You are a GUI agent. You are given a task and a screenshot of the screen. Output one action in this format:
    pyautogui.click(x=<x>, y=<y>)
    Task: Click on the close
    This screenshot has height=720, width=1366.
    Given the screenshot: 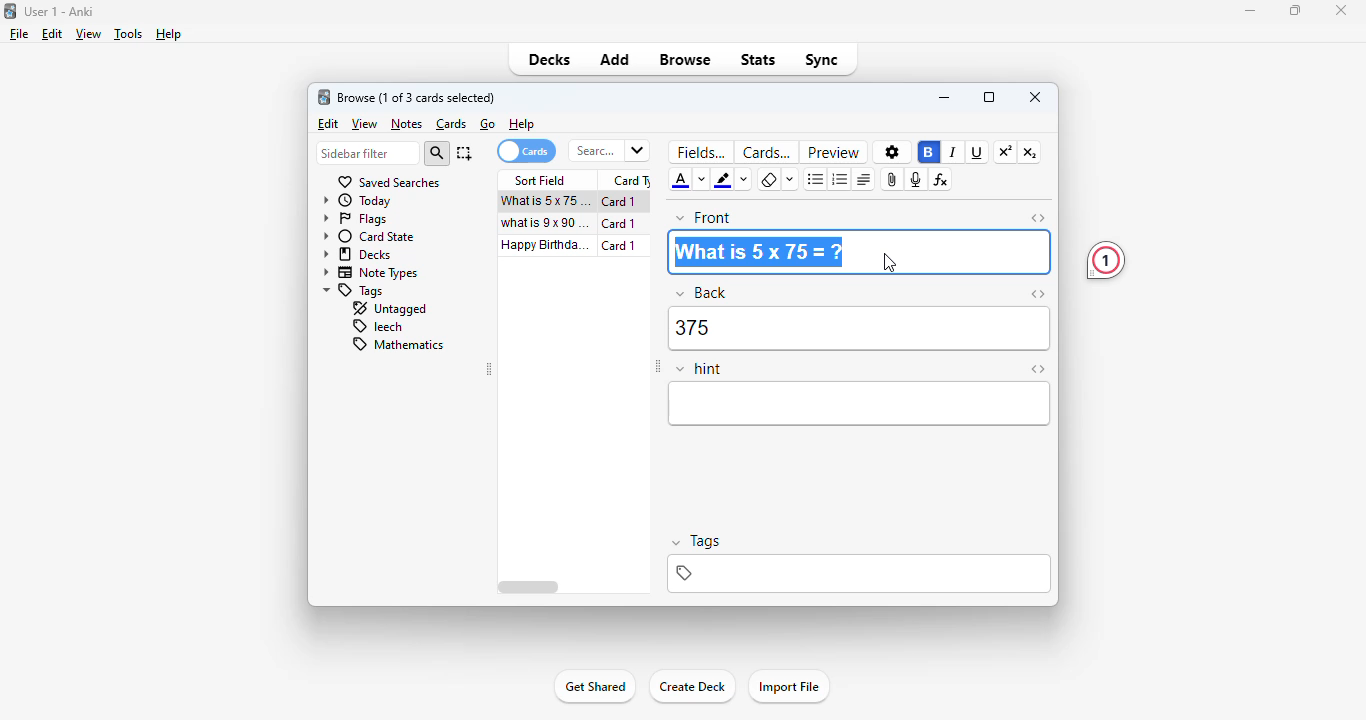 What is the action you would take?
    pyautogui.click(x=1341, y=11)
    